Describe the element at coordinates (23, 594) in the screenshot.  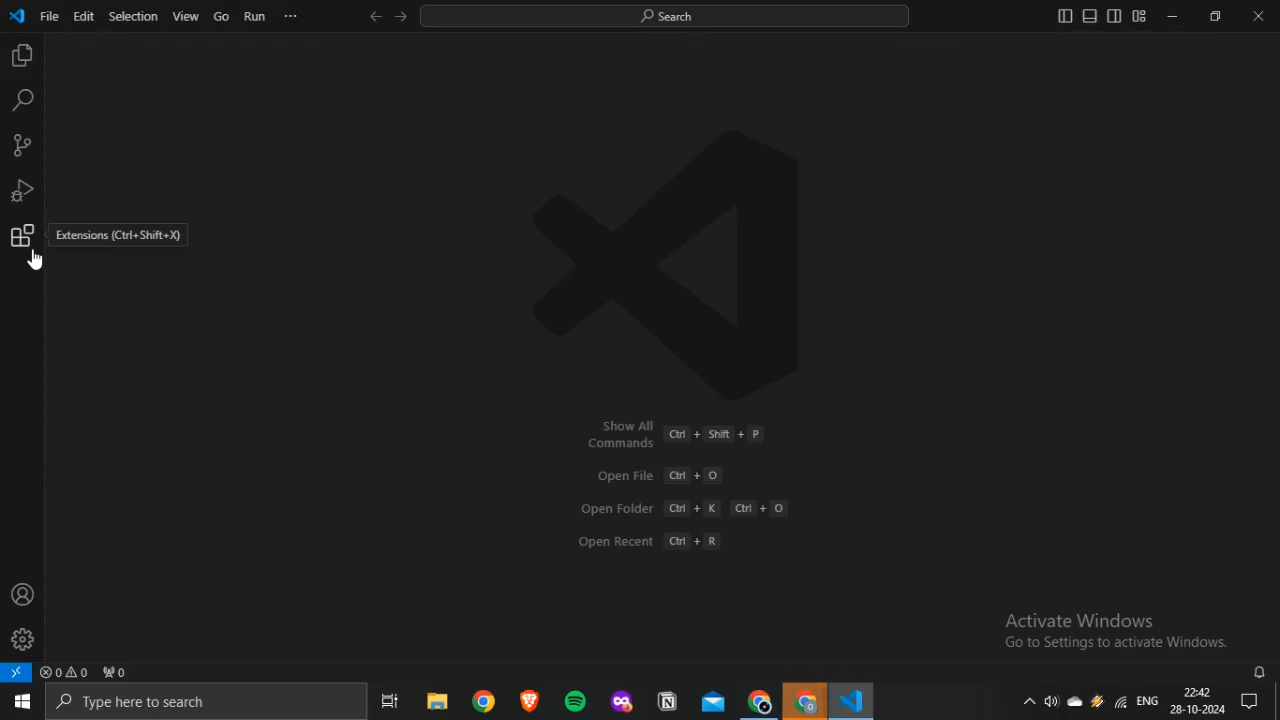
I see `accounts` at that location.